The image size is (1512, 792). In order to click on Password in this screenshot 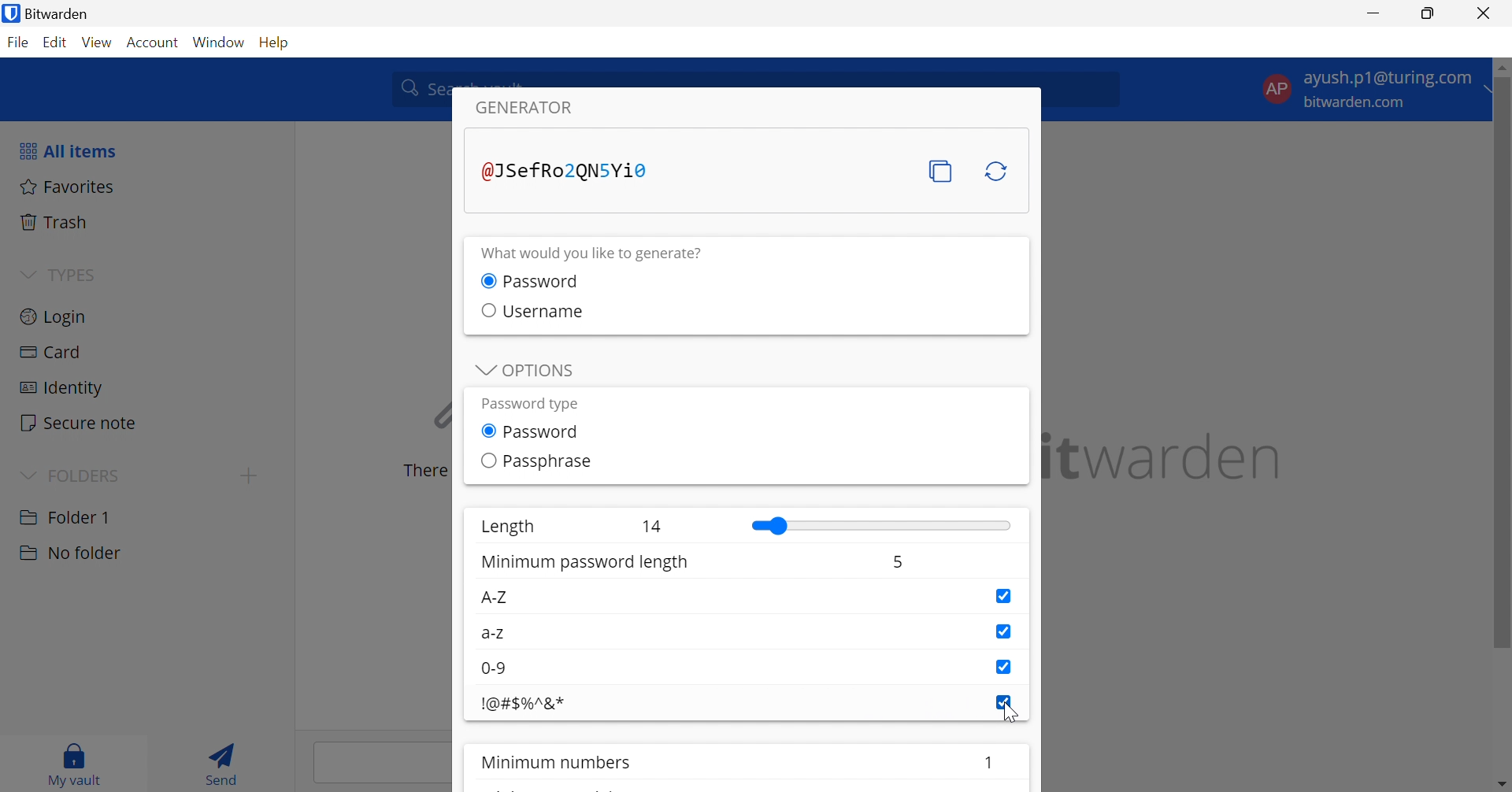, I will do `click(546, 433)`.